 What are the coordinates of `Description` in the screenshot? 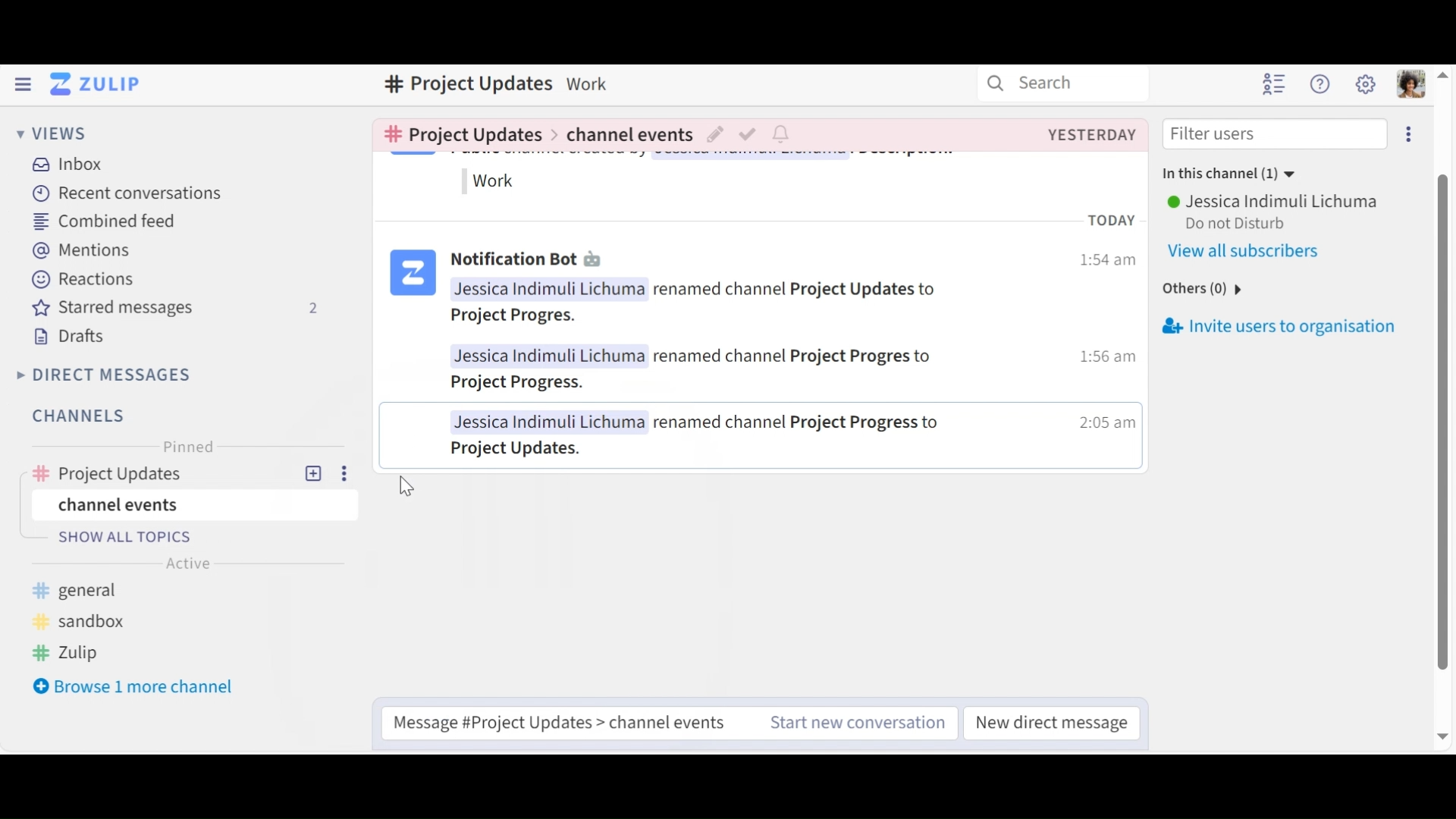 It's located at (588, 82).